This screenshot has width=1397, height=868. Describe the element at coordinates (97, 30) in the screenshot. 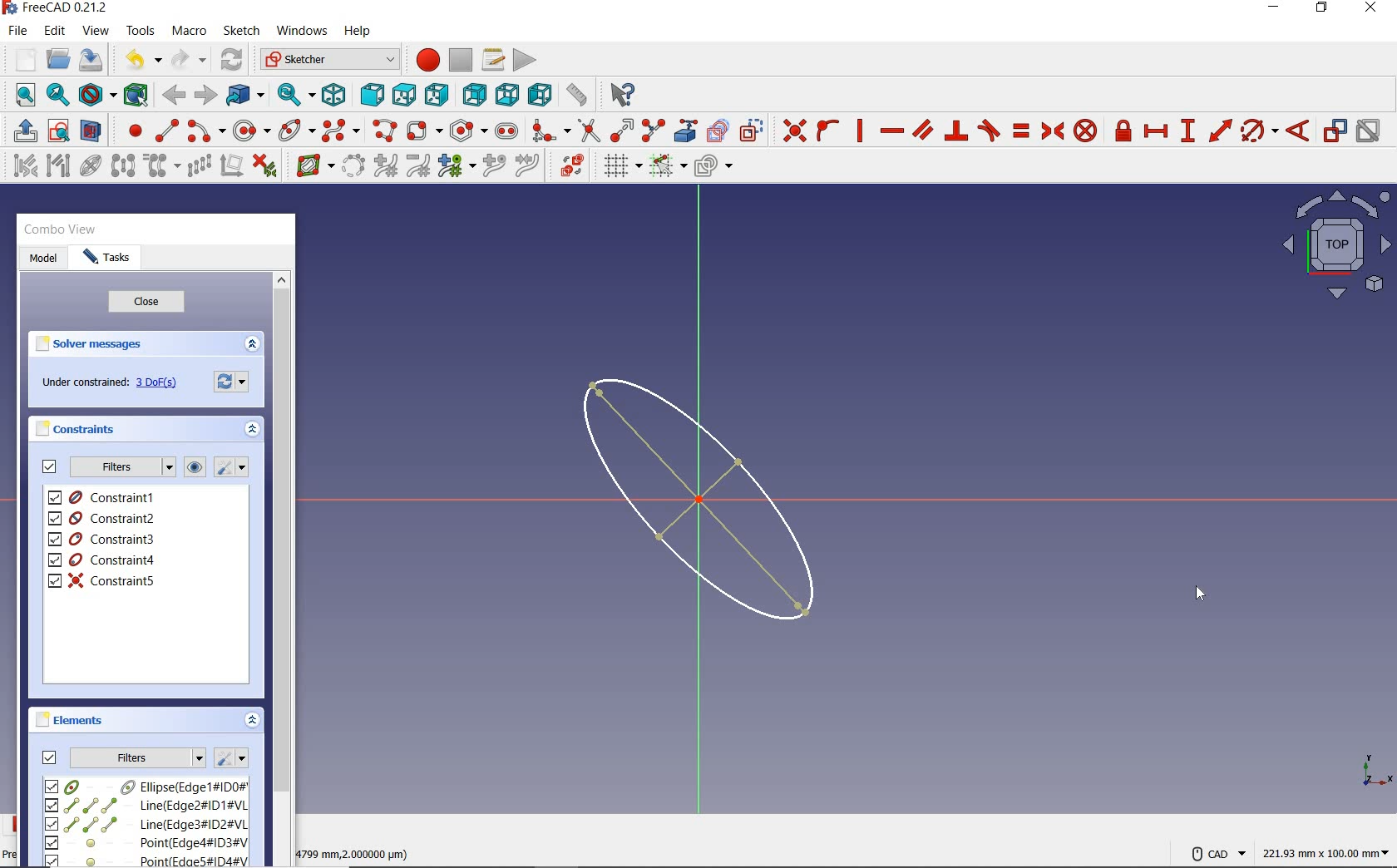

I see `view` at that location.